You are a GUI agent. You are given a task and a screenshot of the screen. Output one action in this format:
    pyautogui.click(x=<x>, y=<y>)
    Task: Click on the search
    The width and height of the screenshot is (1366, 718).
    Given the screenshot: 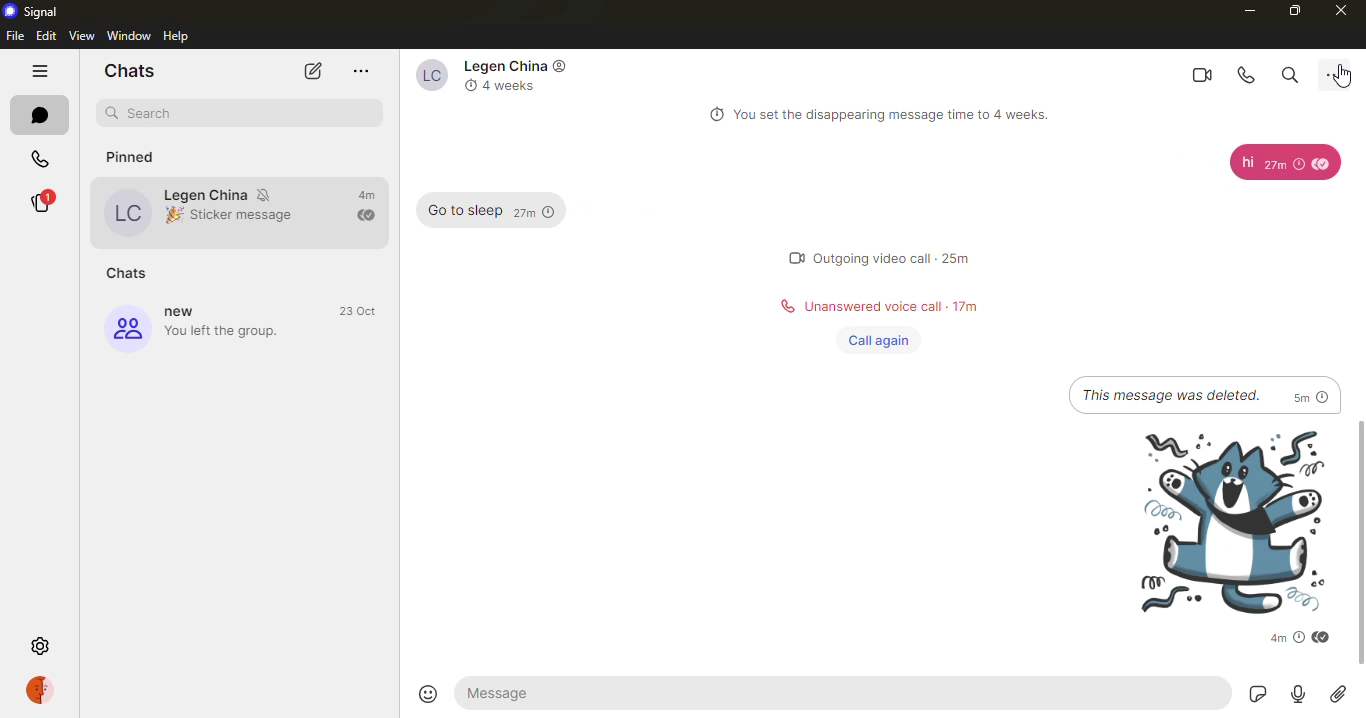 What is the action you would take?
    pyautogui.click(x=154, y=112)
    